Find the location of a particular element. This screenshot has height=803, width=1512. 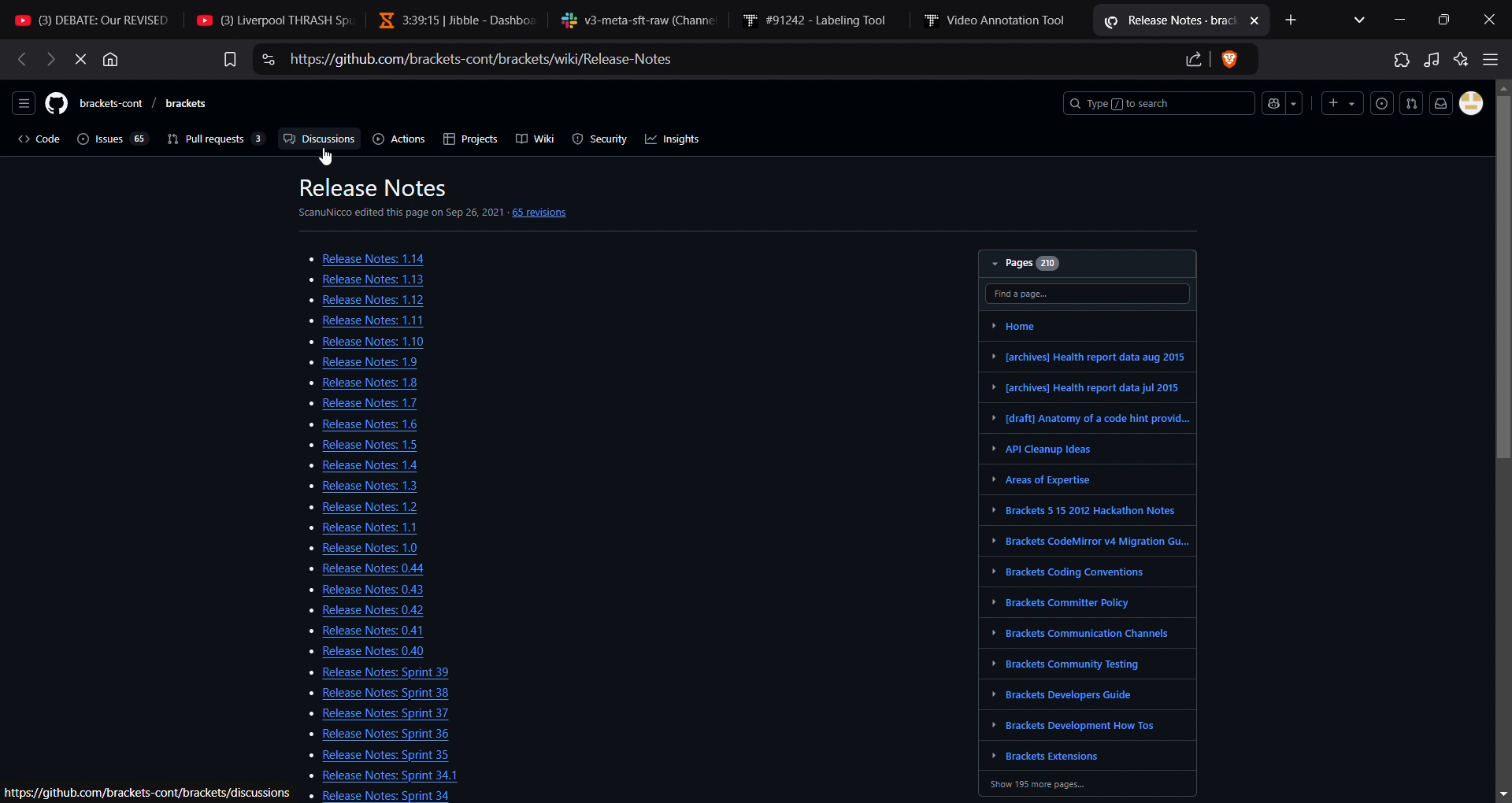

o Release Notes: 0.40 is located at coordinates (355, 650).